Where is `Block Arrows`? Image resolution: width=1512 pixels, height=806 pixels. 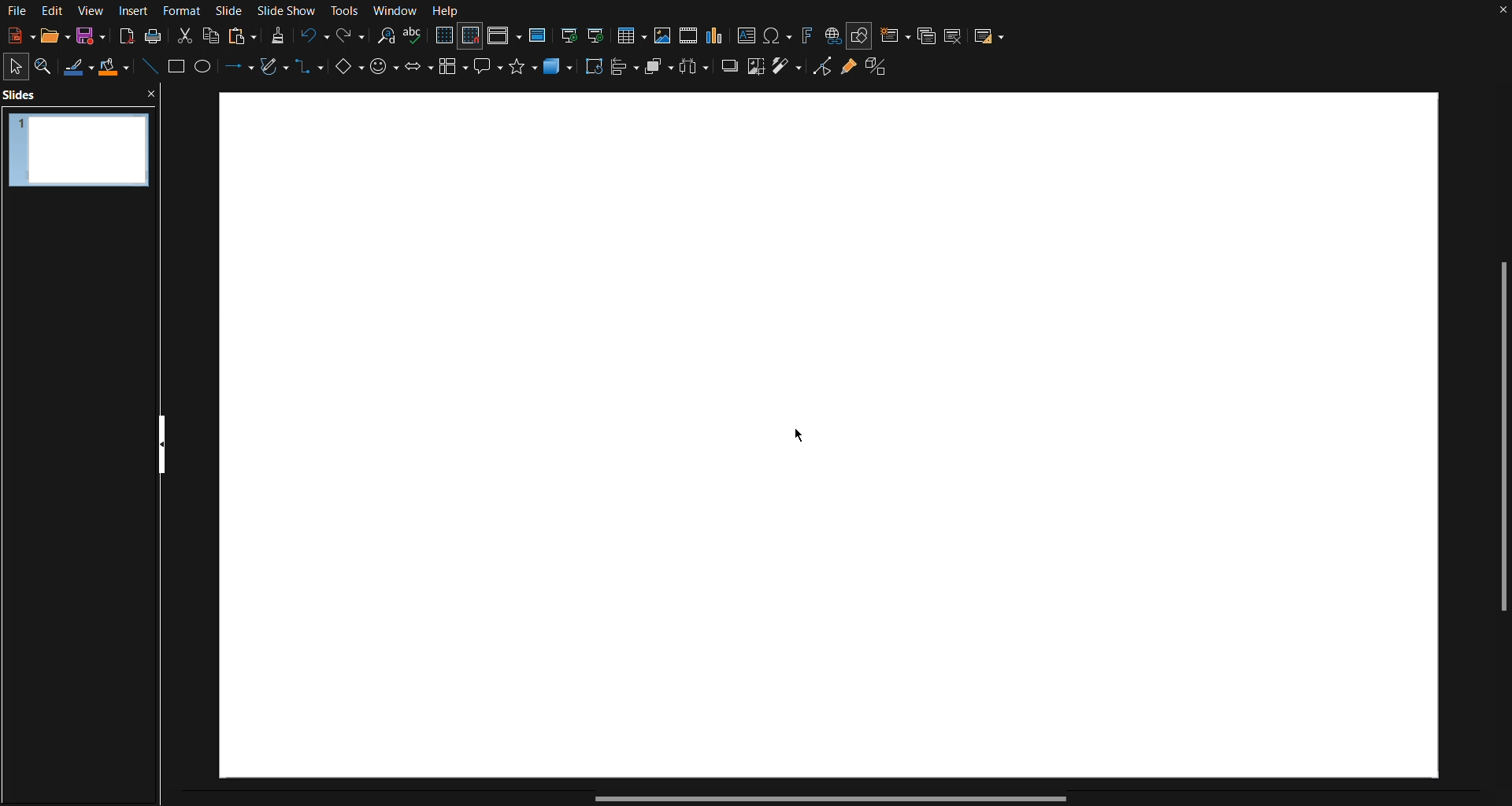 Block Arrows is located at coordinates (417, 72).